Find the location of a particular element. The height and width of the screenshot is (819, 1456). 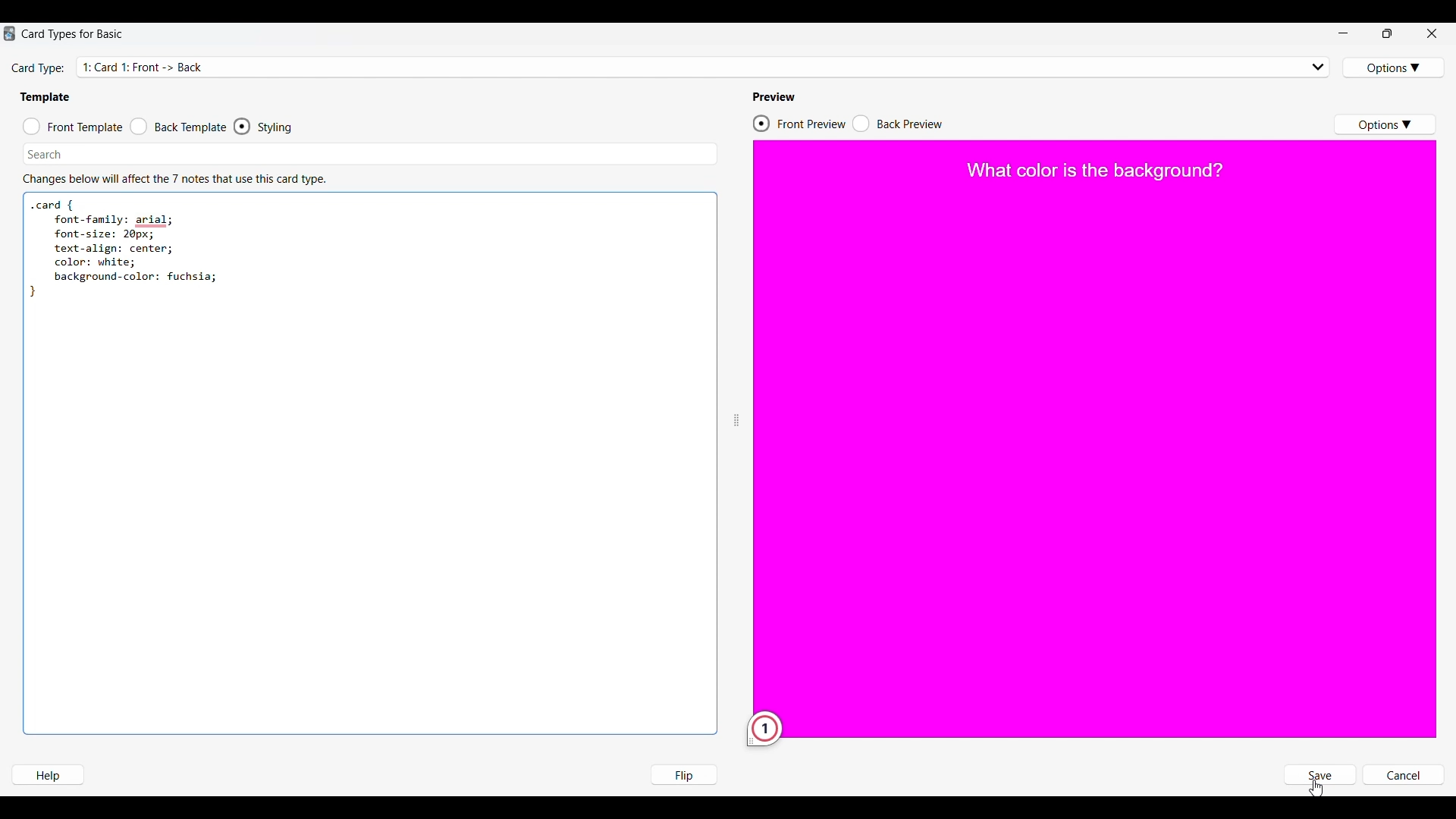

Preview back of card is located at coordinates (898, 124).